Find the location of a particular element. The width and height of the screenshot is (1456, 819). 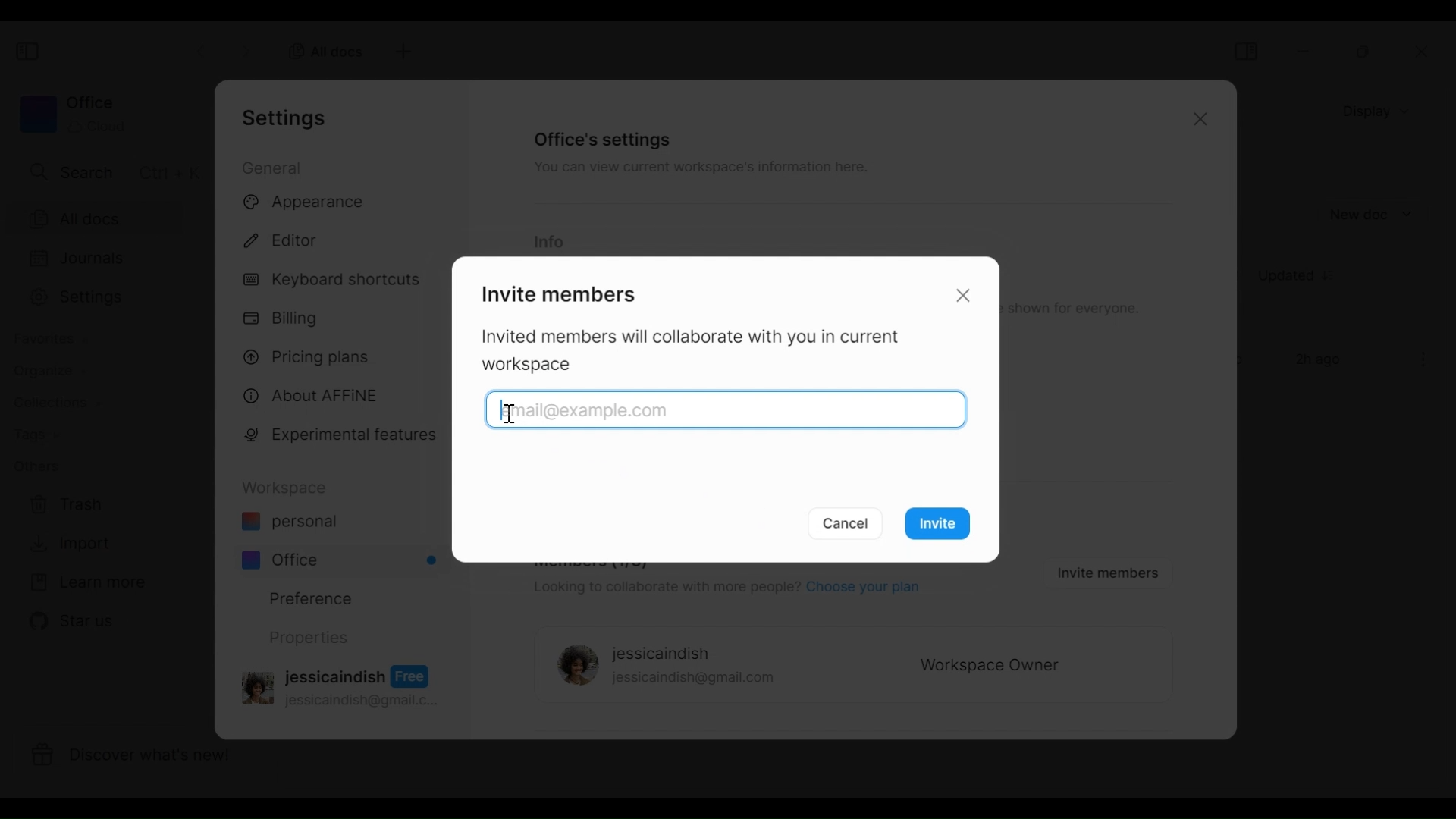

2h ago is located at coordinates (1321, 361).